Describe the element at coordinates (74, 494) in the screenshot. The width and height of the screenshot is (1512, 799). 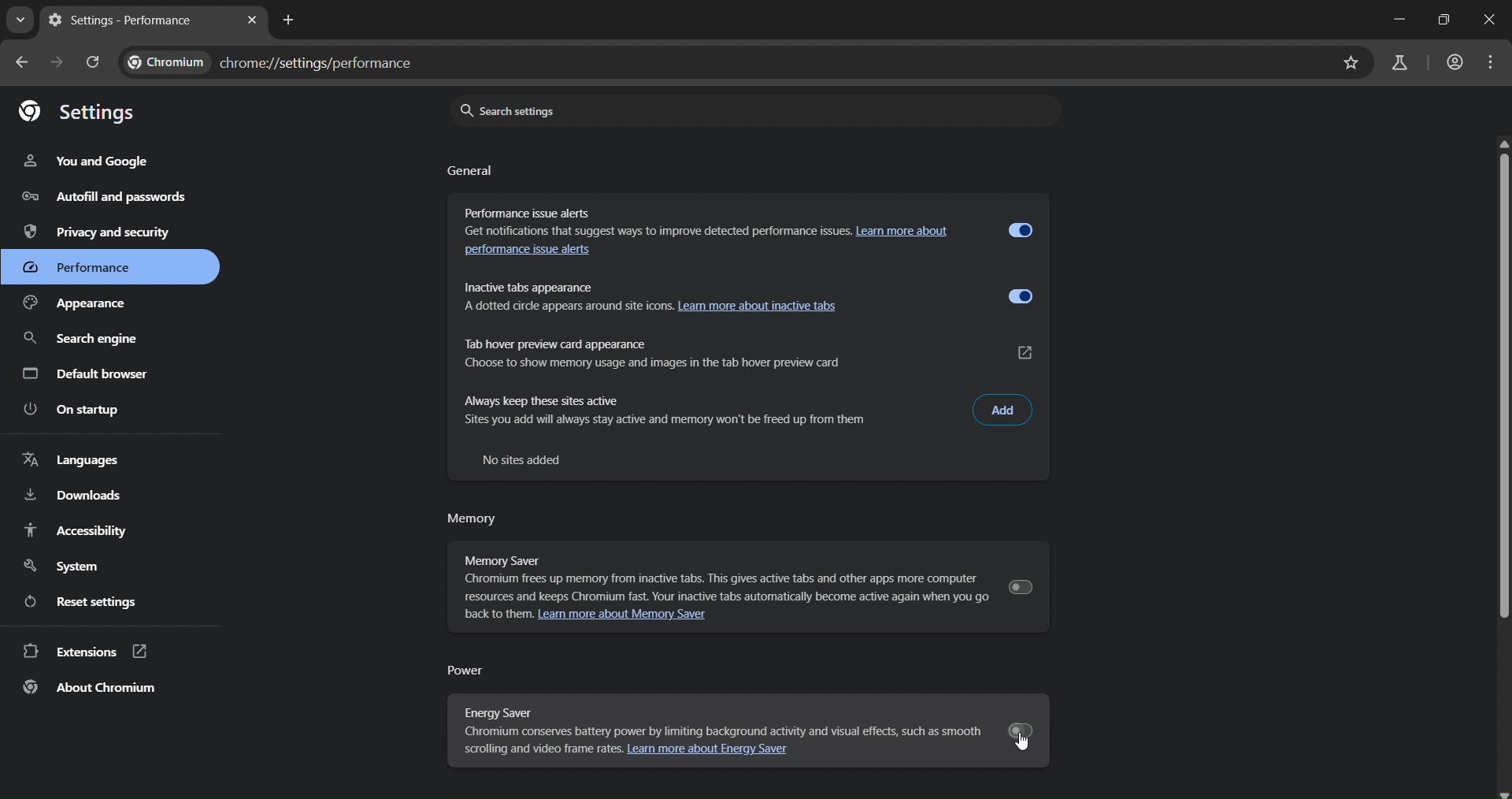
I see `downloads` at that location.